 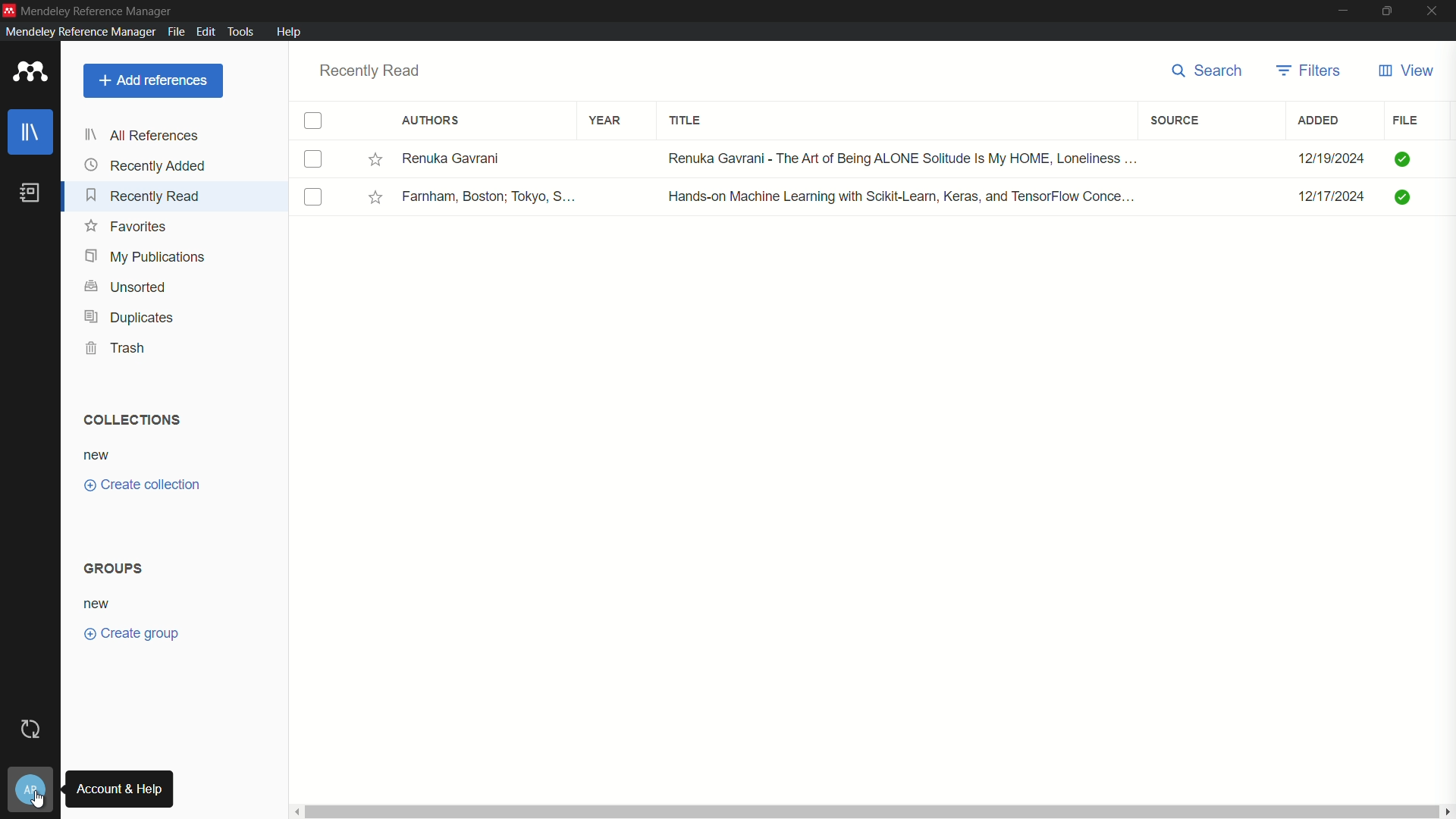 What do you see at coordinates (141, 195) in the screenshot?
I see `recently read` at bounding box center [141, 195].